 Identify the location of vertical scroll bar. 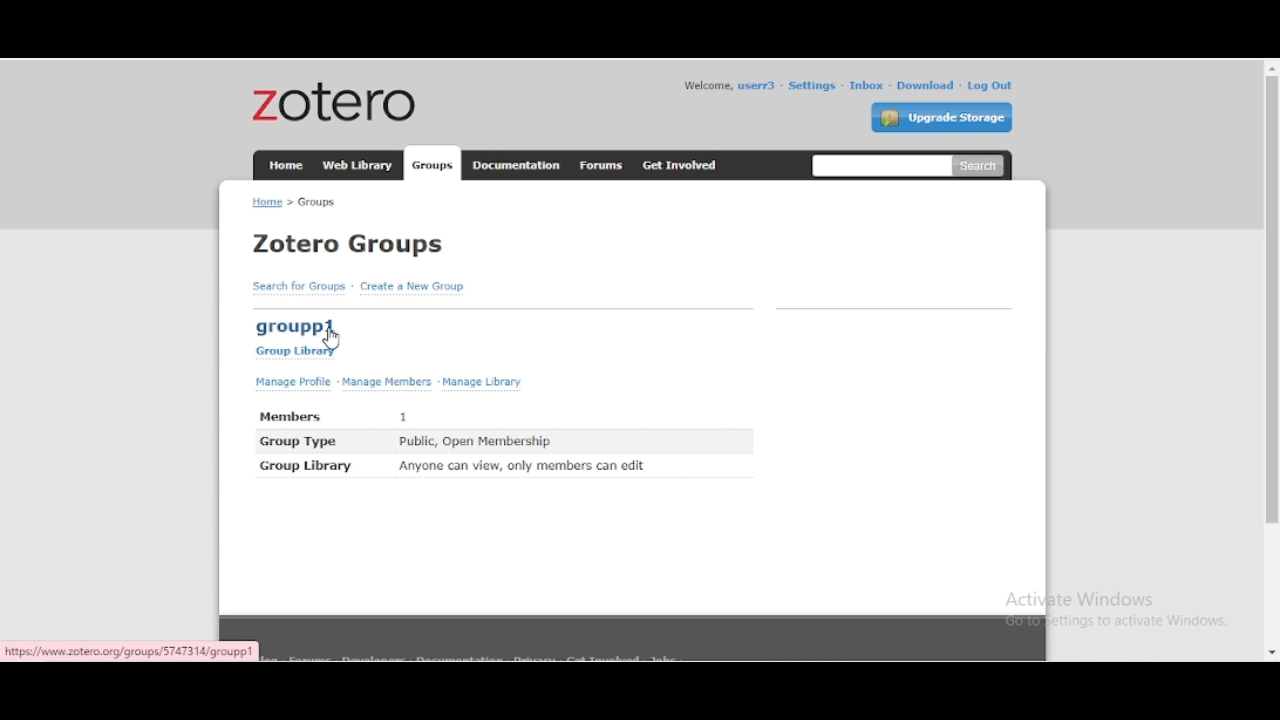
(1270, 303).